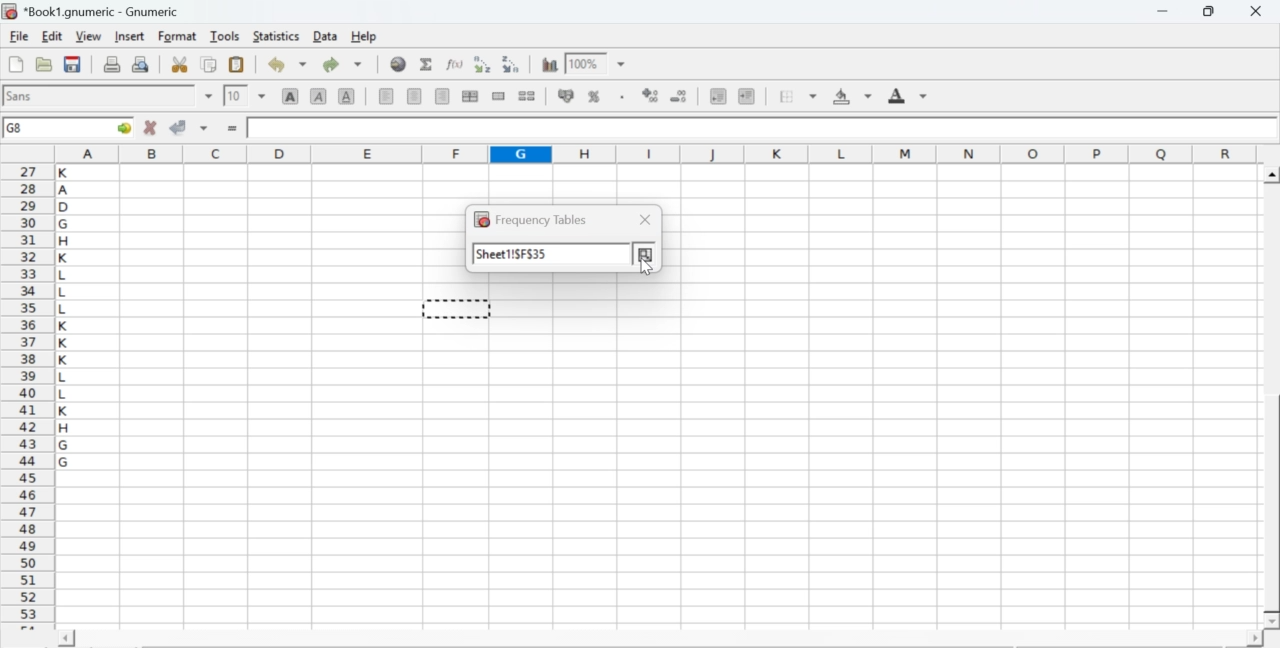 The image size is (1280, 648). What do you see at coordinates (226, 35) in the screenshot?
I see `tools` at bounding box center [226, 35].